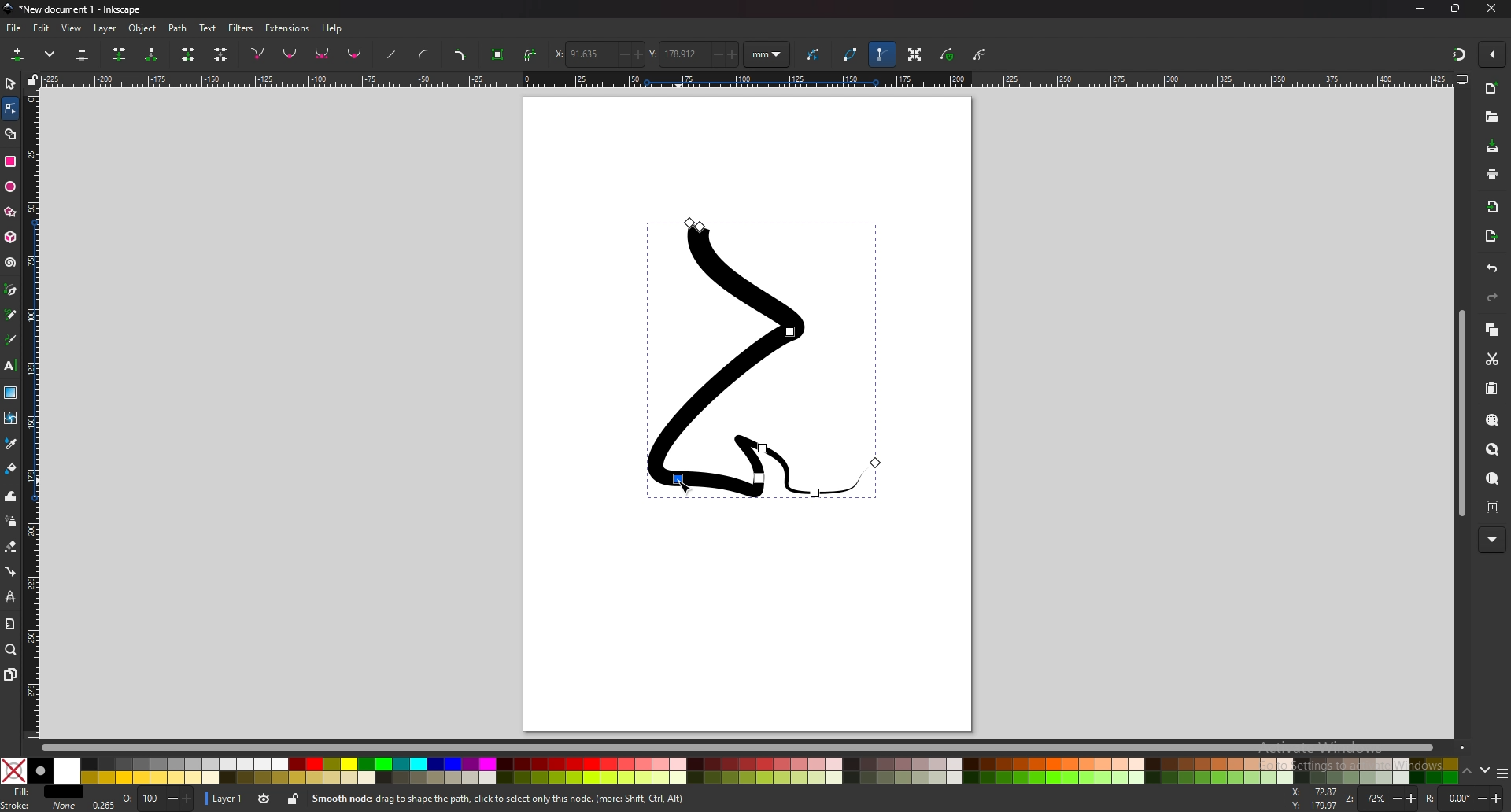 Image resolution: width=1511 pixels, height=812 pixels. I want to click on zoom centre page, so click(1493, 507).